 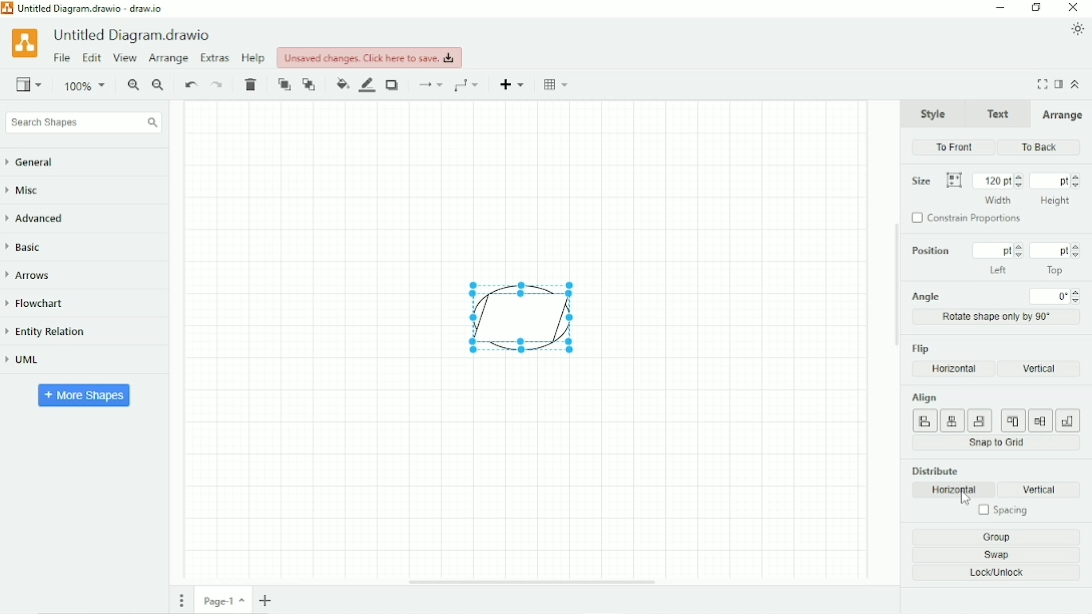 What do you see at coordinates (135, 35) in the screenshot?
I see `Title` at bounding box center [135, 35].